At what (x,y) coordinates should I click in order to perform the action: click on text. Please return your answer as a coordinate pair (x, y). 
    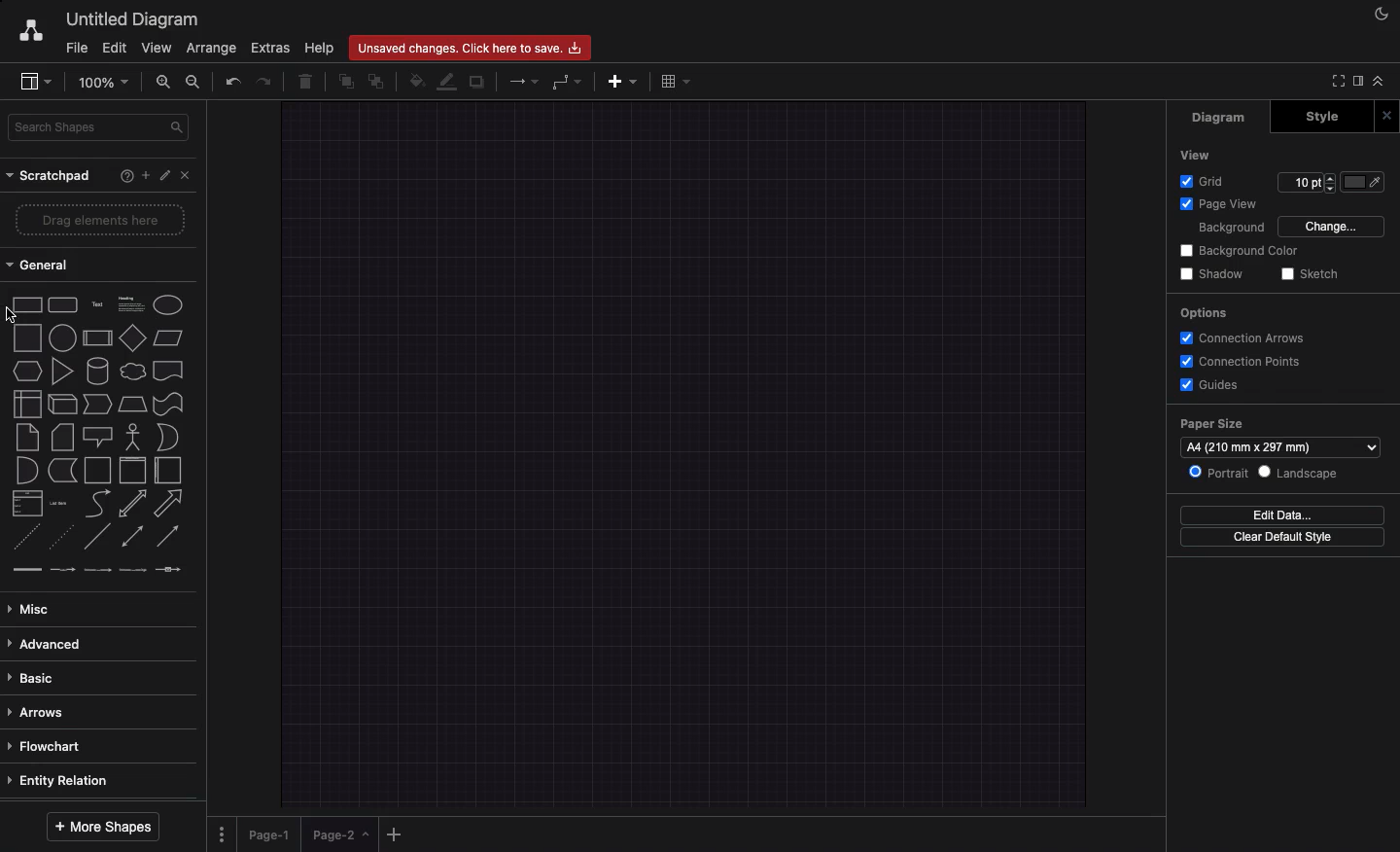
    Looking at the image, I should click on (96, 303).